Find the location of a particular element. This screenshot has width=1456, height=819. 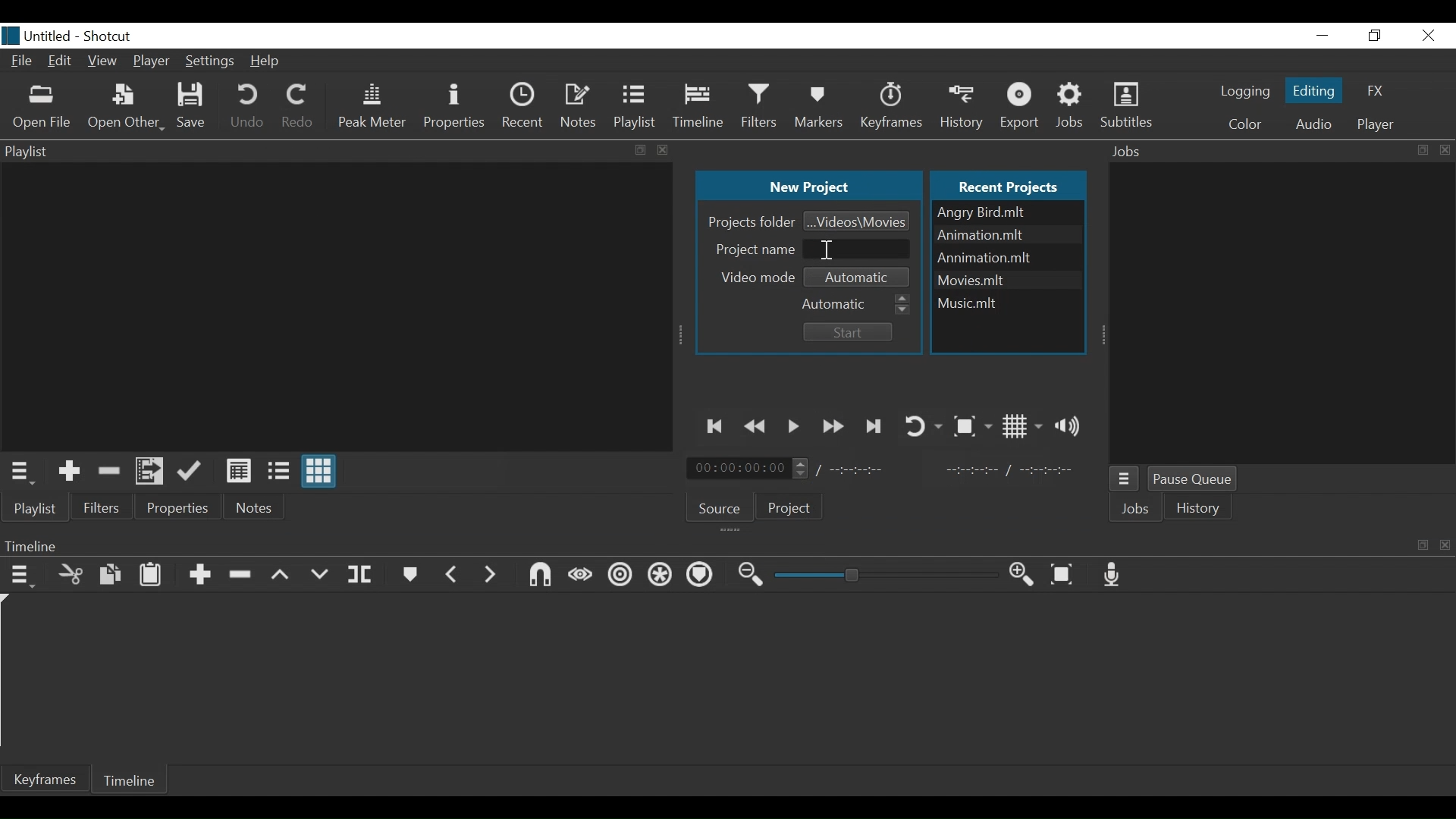

File name is located at coordinates (1008, 258).